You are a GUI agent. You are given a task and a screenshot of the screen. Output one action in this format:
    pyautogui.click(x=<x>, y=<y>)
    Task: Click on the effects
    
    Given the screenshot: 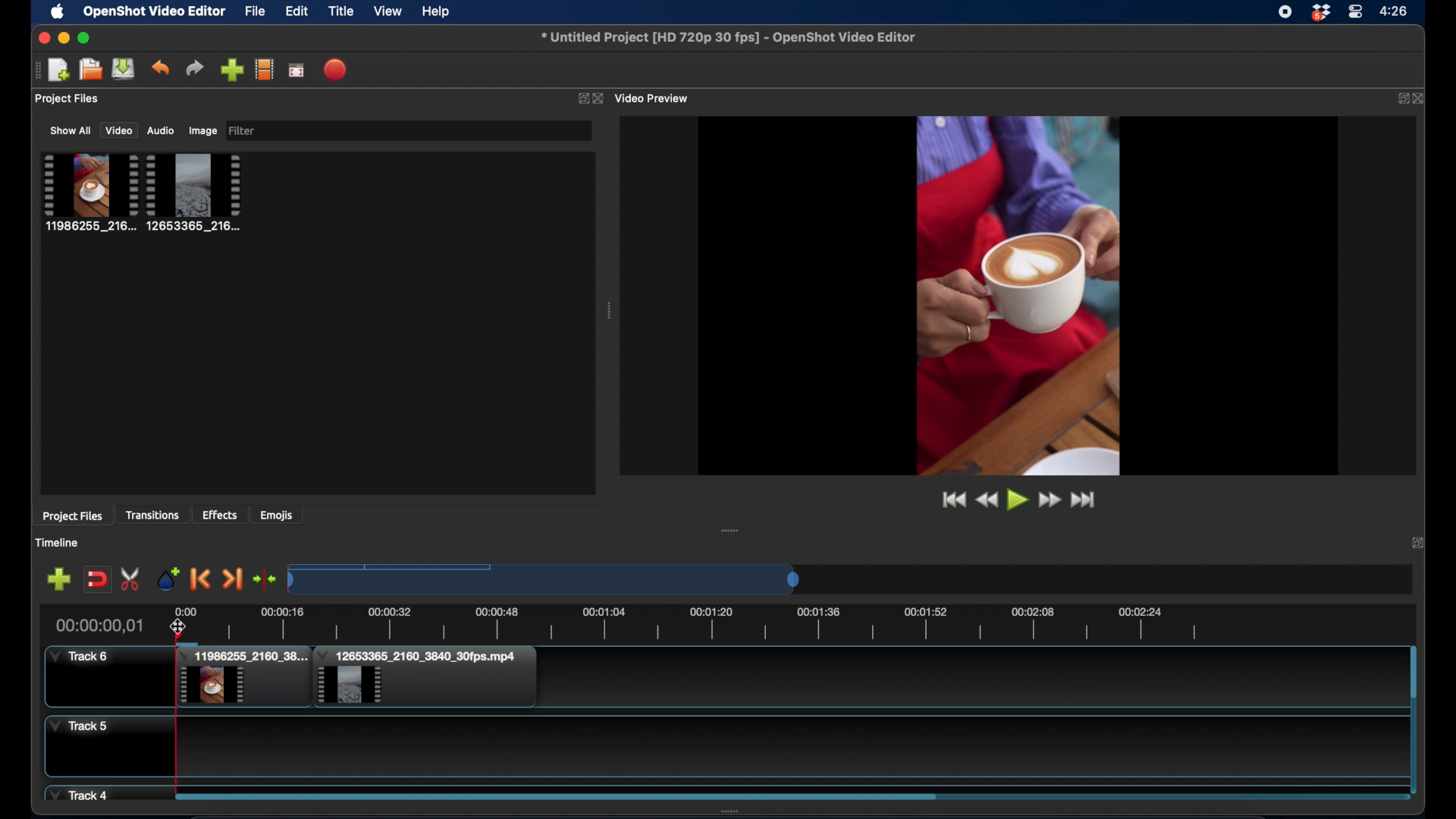 What is the action you would take?
    pyautogui.click(x=221, y=515)
    